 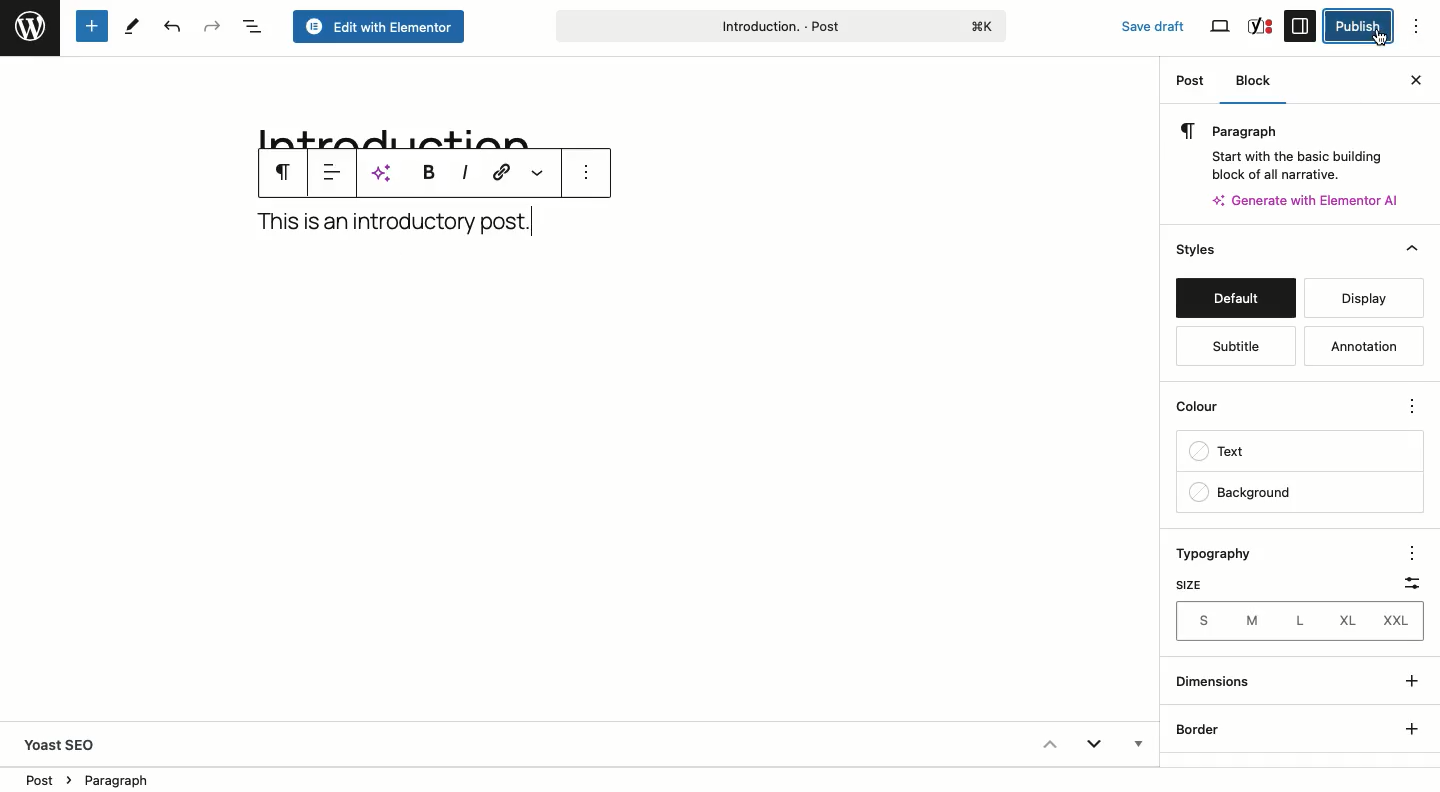 I want to click on Hidden, so click(x=1136, y=746).